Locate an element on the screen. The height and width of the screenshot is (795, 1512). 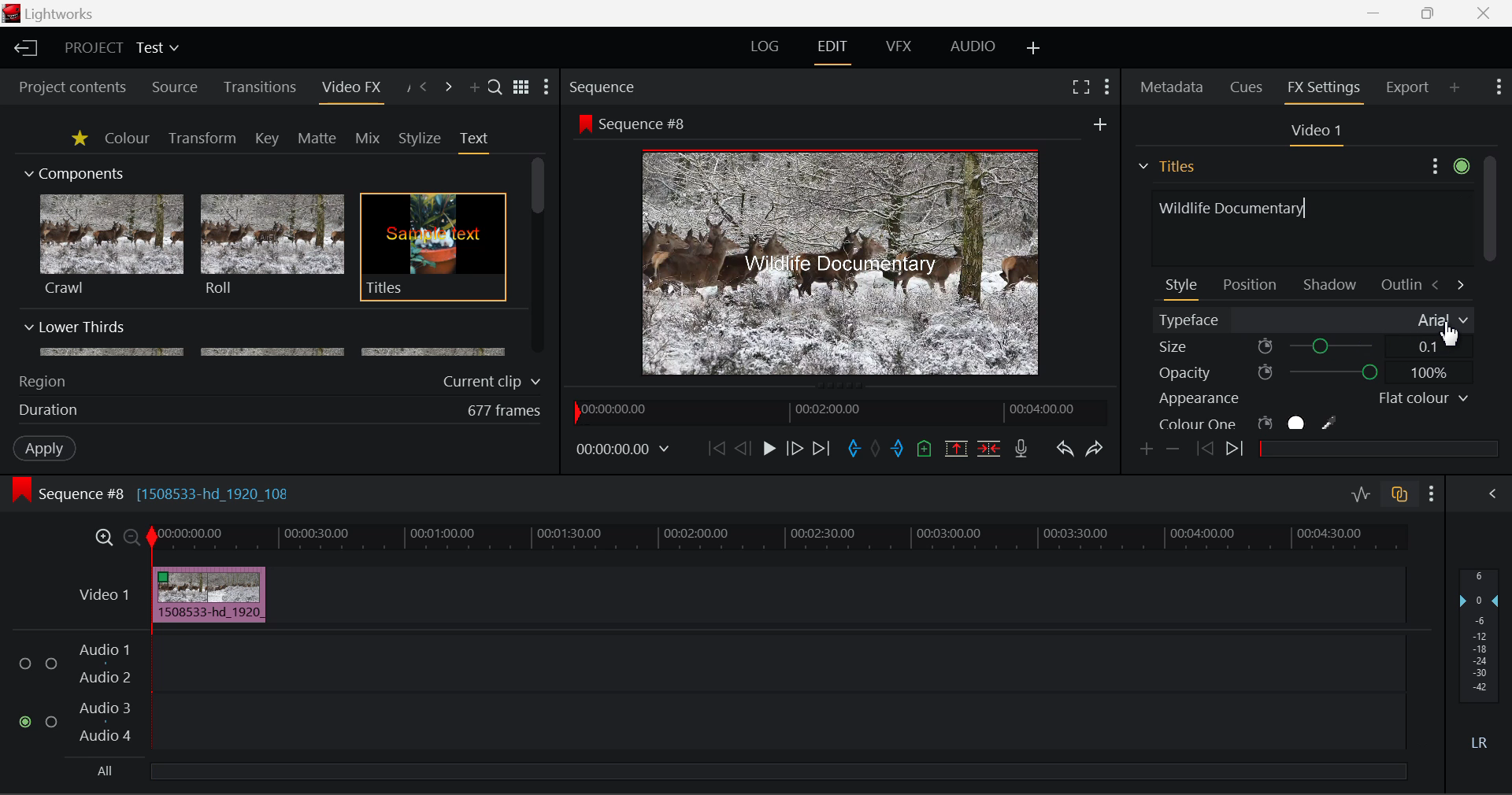
Stylize is located at coordinates (421, 139).